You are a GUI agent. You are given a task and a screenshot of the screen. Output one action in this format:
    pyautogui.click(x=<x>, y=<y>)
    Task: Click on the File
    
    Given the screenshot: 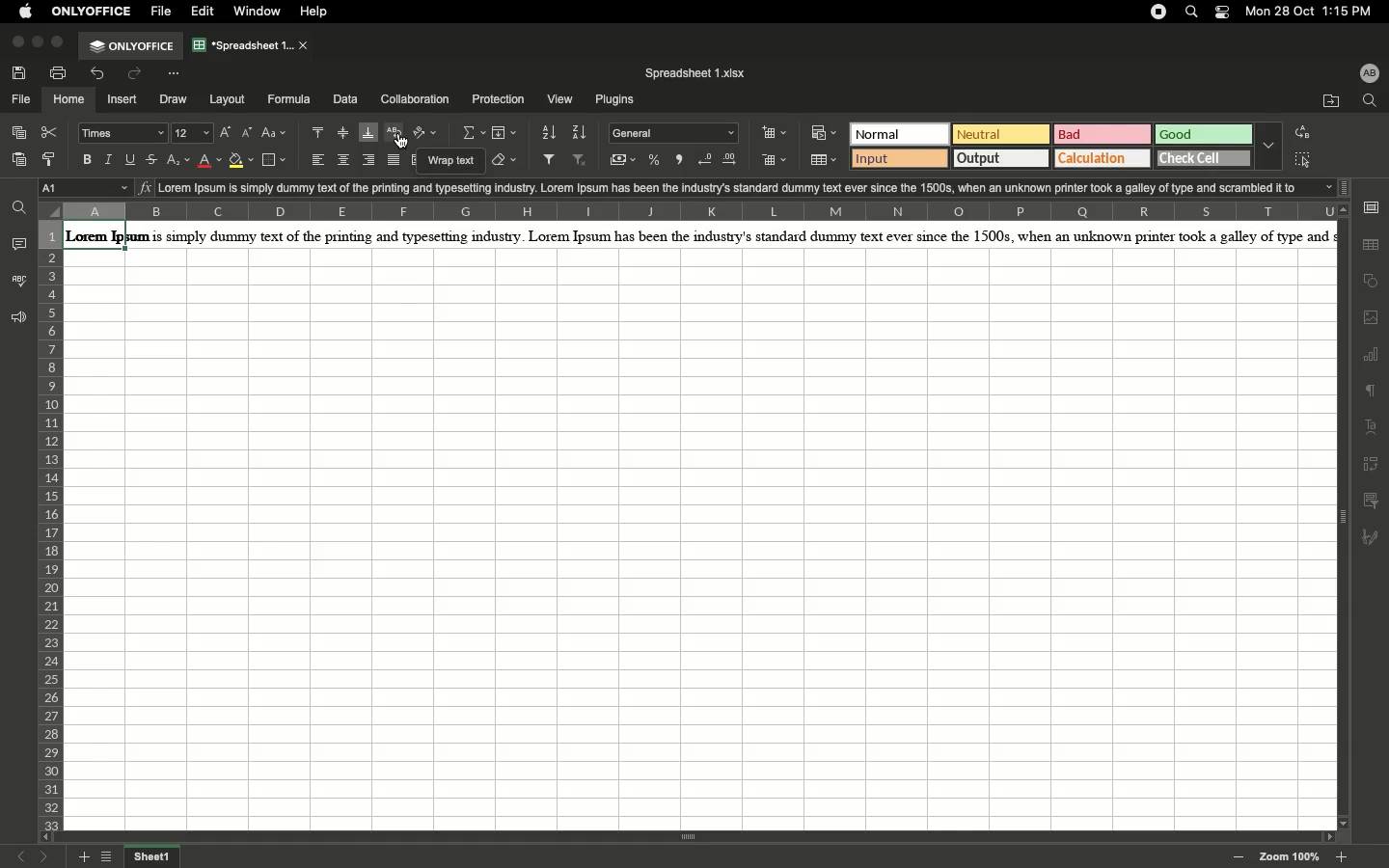 What is the action you would take?
    pyautogui.click(x=20, y=100)
    